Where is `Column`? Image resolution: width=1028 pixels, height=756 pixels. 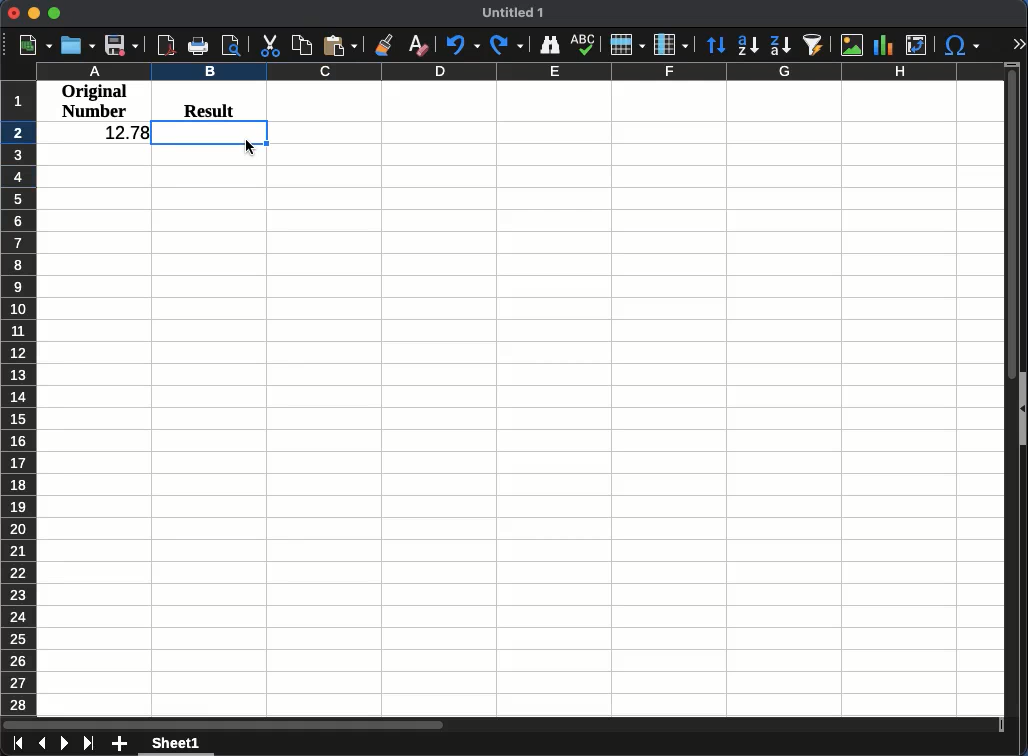
Column is located at coordinates (669, 45).